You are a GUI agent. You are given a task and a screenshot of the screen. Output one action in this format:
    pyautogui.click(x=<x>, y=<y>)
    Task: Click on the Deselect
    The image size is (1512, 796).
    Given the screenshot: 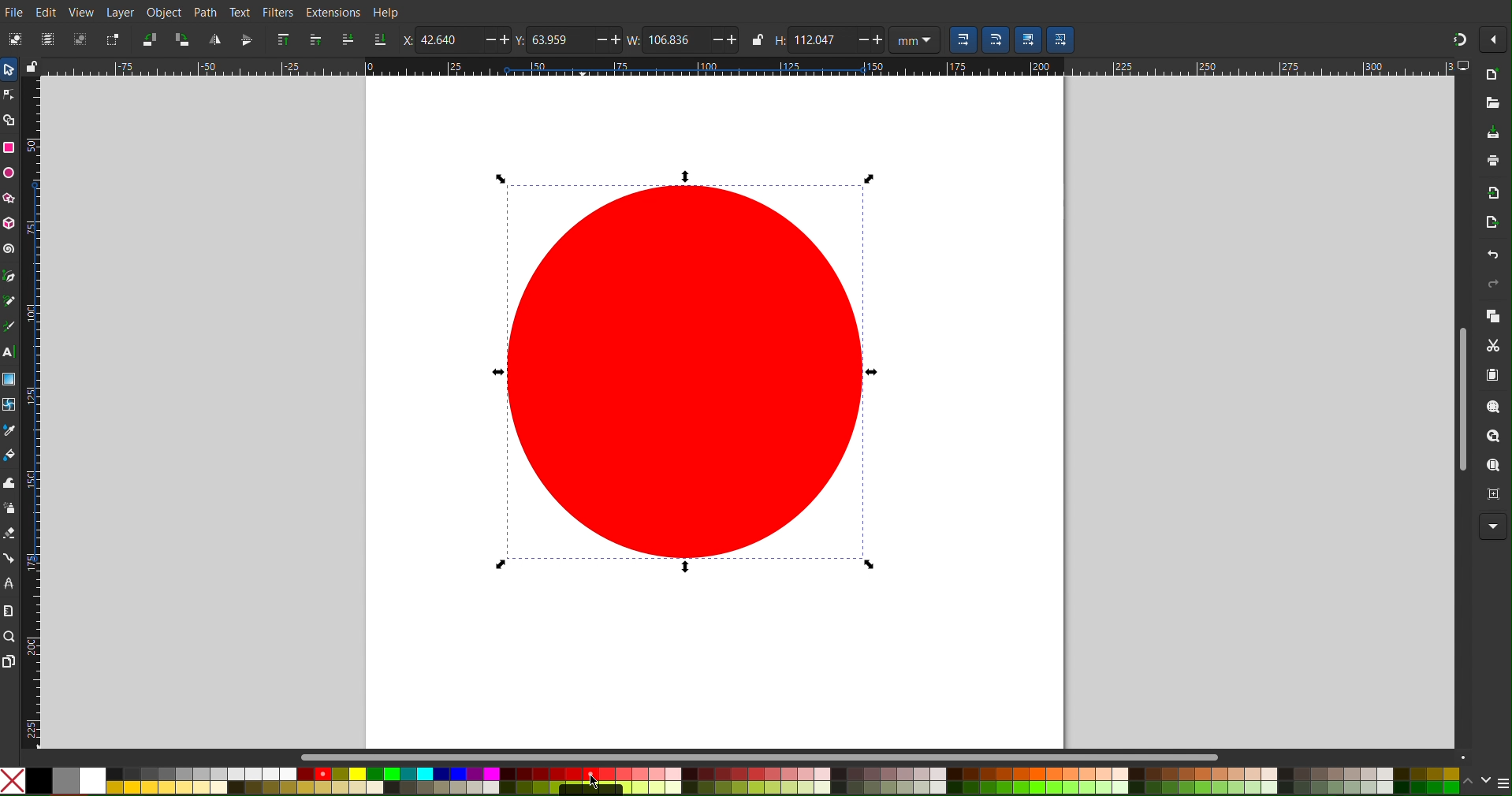 What is the action you would take?
    pyautogui.click(x=82, y=38)
    